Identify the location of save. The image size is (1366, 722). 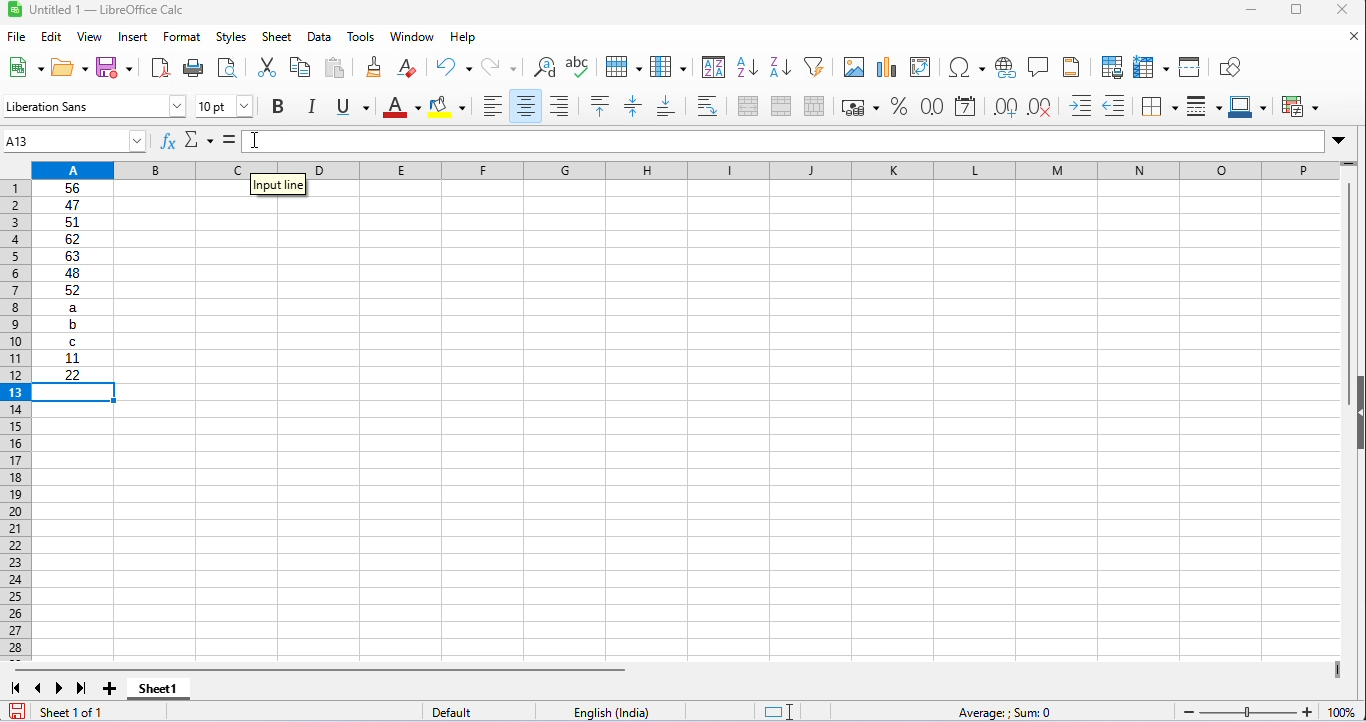
(17, 711).